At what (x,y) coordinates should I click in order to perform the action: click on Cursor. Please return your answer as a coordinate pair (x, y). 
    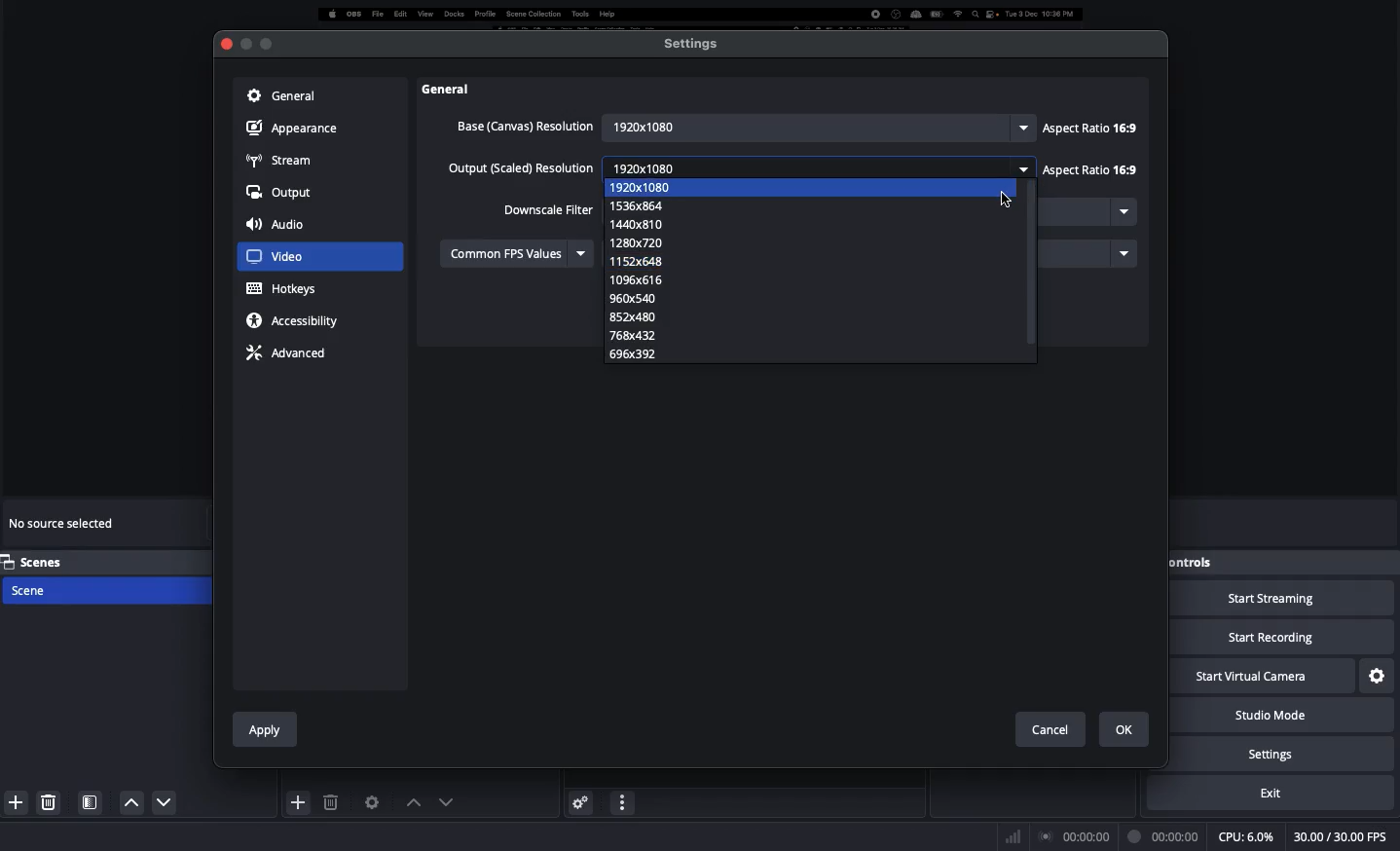
    Looking at the image, I should click on (1003, 198).